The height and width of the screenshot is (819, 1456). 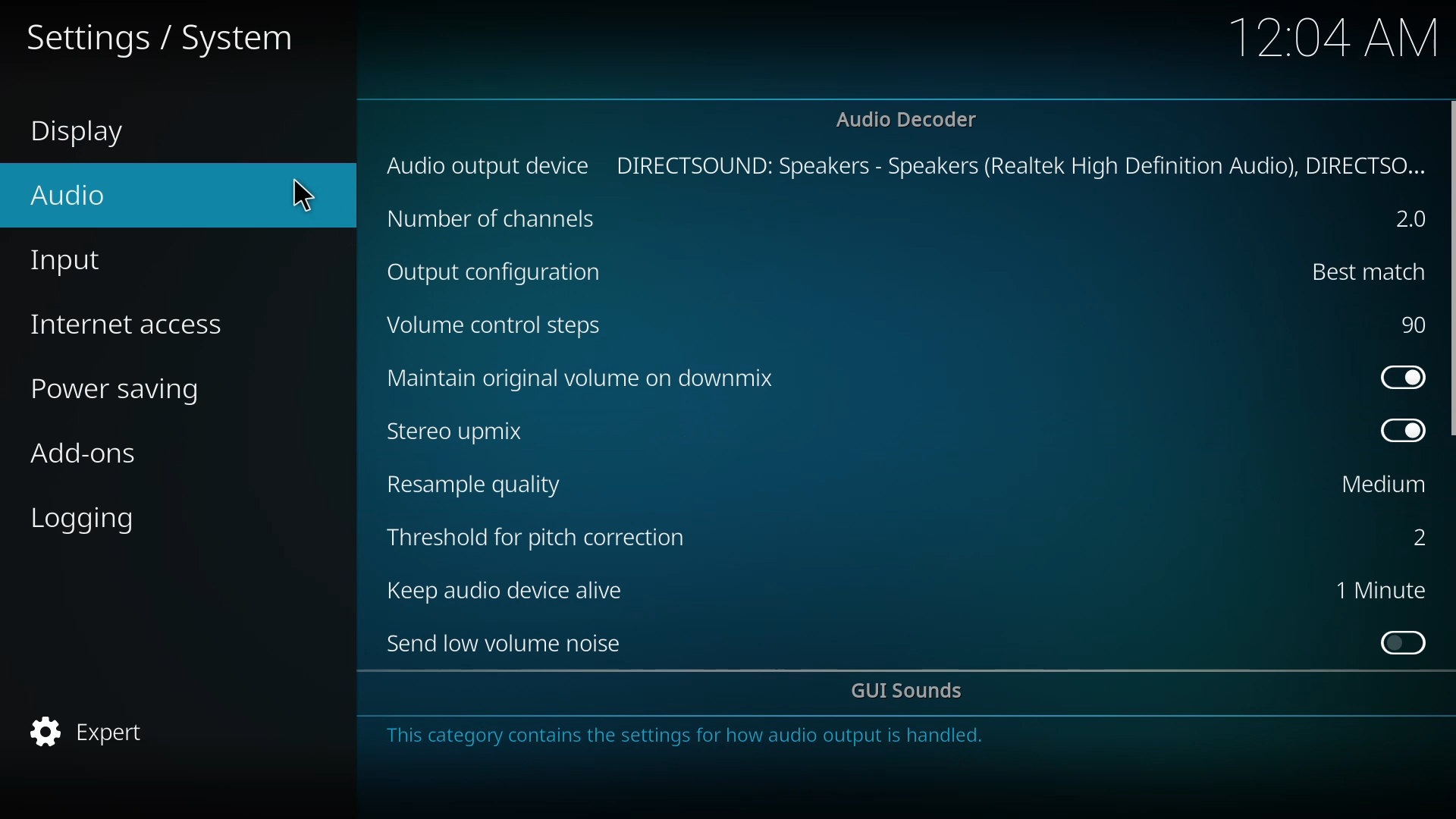 What do you see at coordinates (1025, 163) in the screenshot?
I see `directsound` at bounding box center [1025, 163].